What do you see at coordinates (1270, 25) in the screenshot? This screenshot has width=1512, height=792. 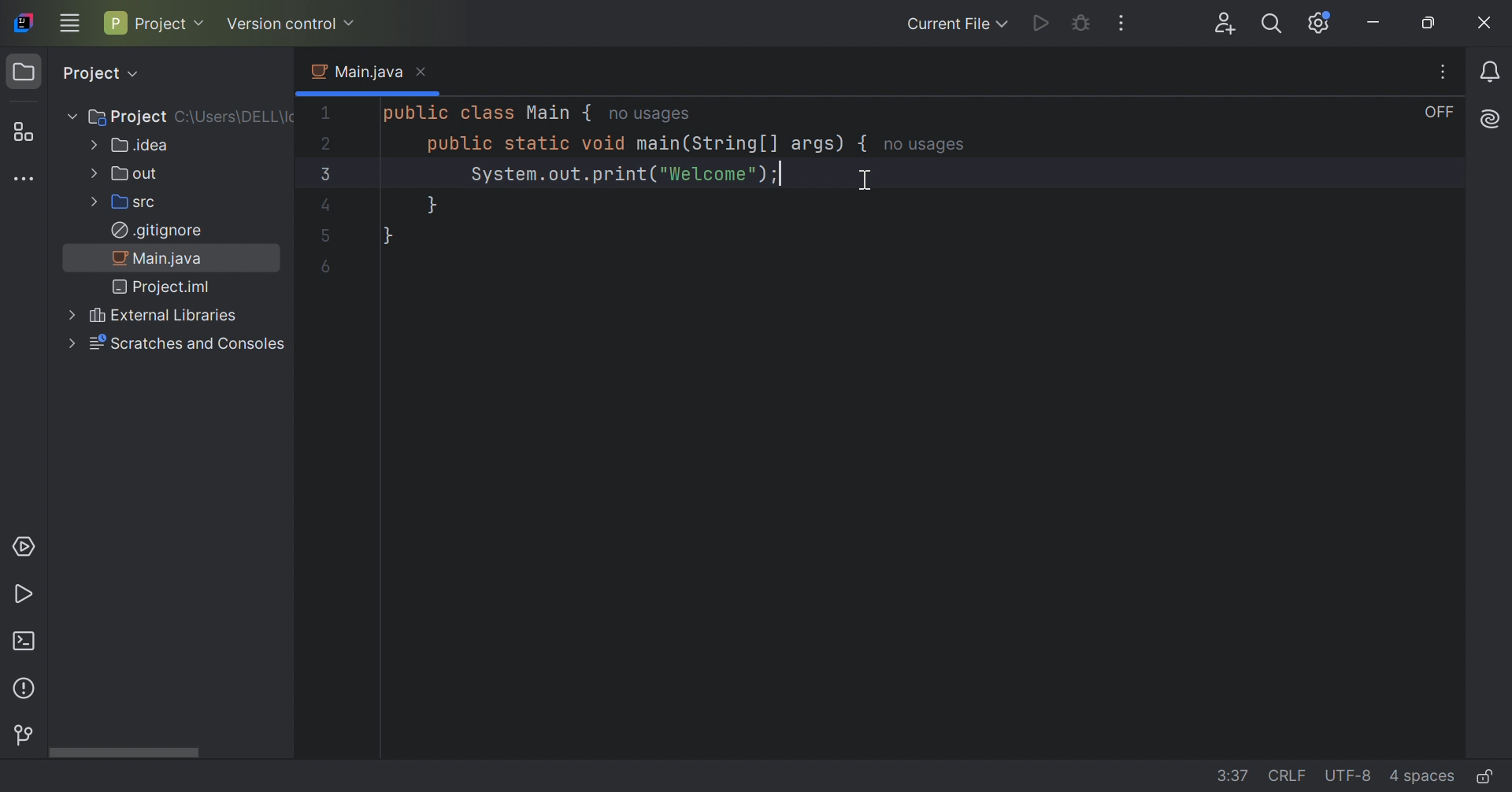 I see `Search everywhere` at bounding box center [1270, 25].